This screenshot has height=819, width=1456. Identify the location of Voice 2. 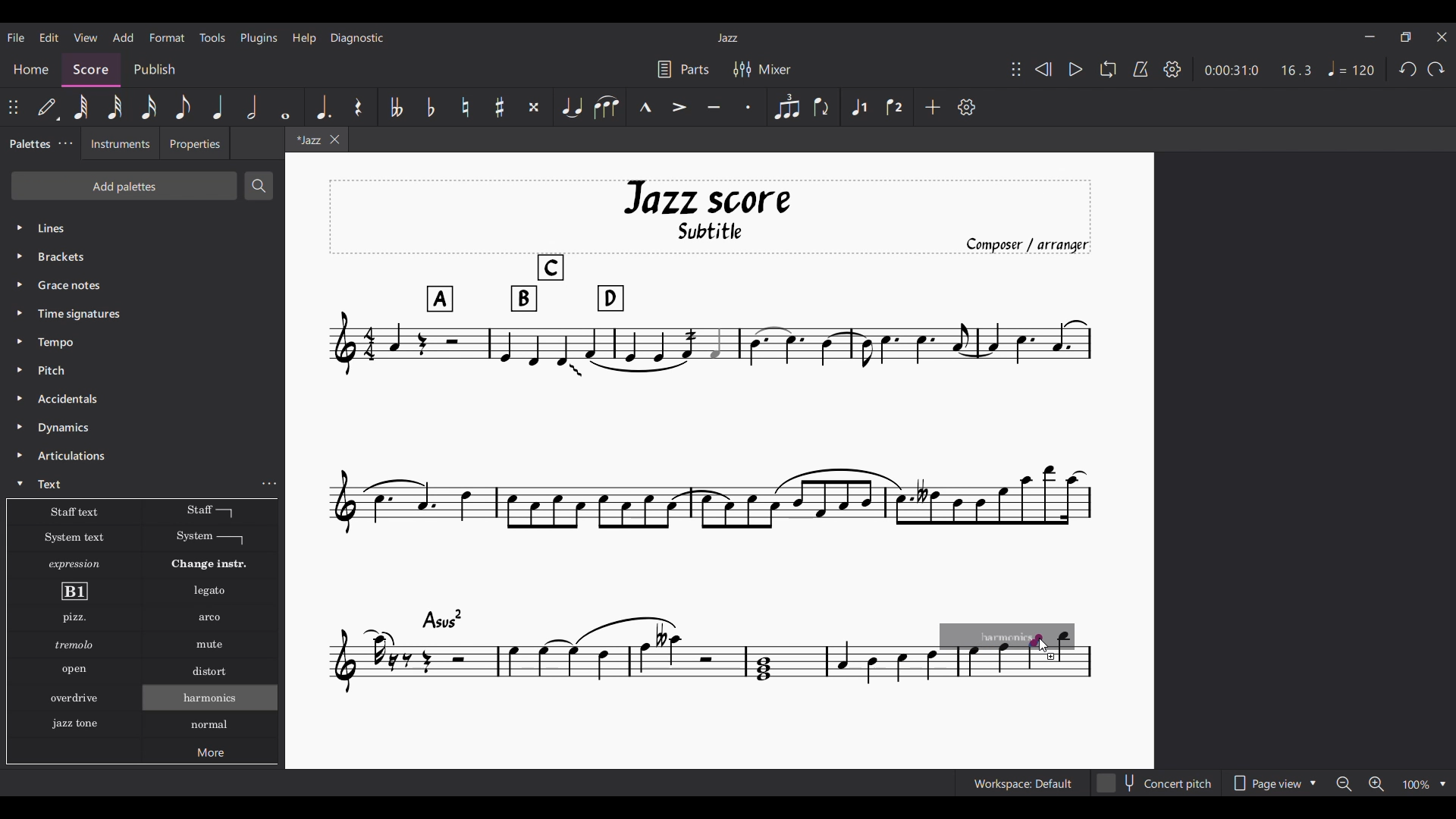
(895, 106).